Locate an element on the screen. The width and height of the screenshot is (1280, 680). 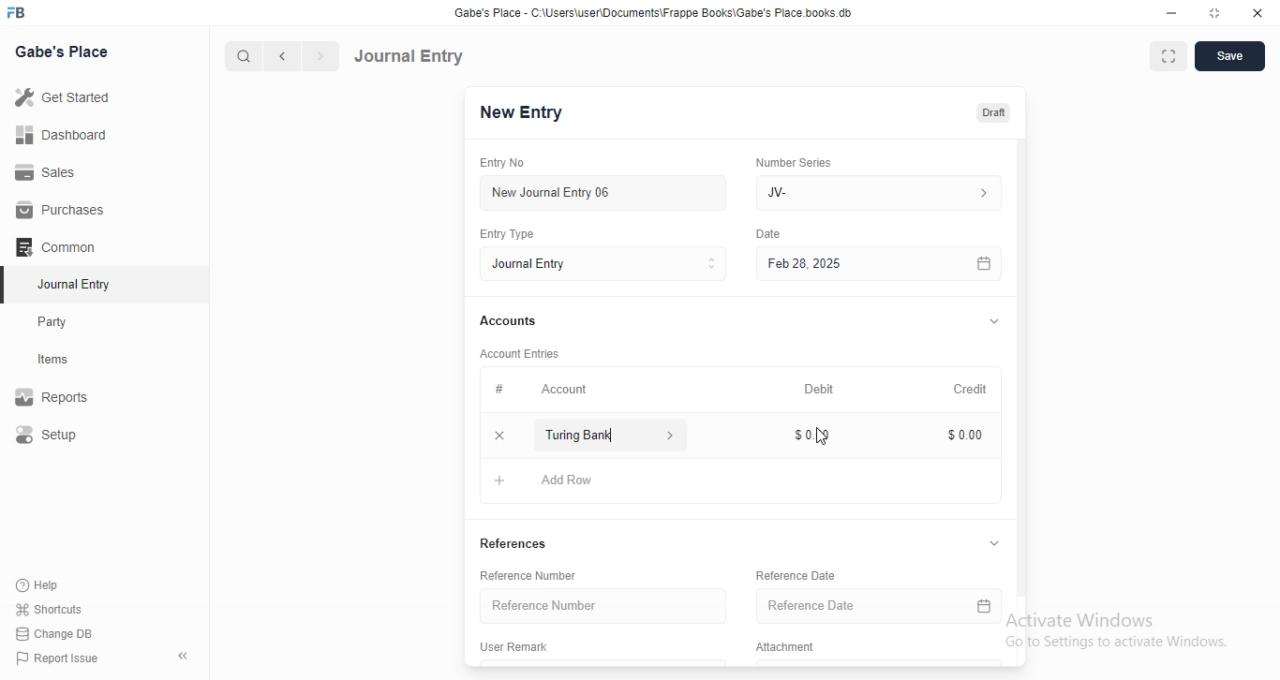
calender is located at coordinates (985, 609).